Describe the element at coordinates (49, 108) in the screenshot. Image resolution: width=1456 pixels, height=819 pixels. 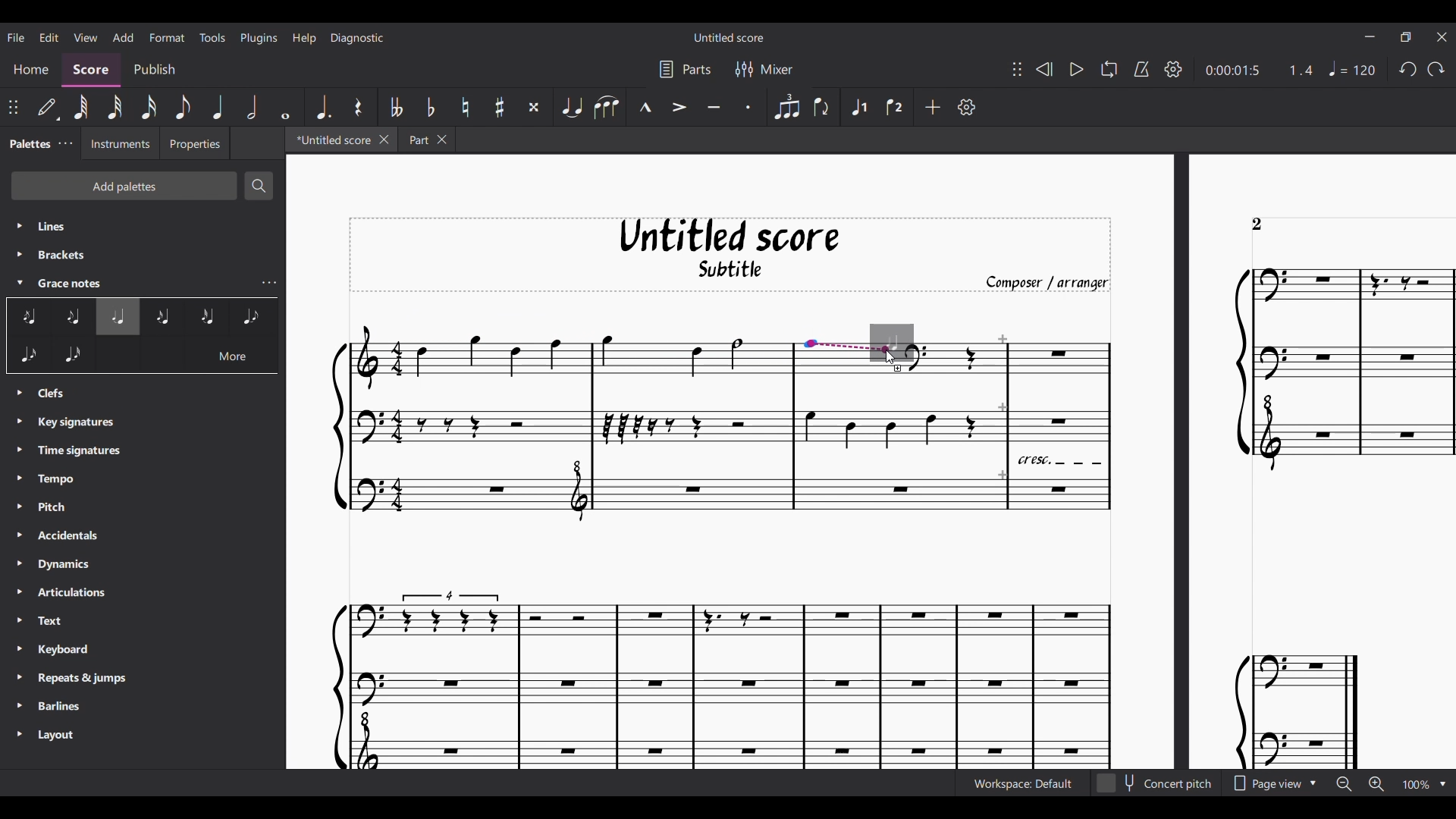
I see `Default` at that location.